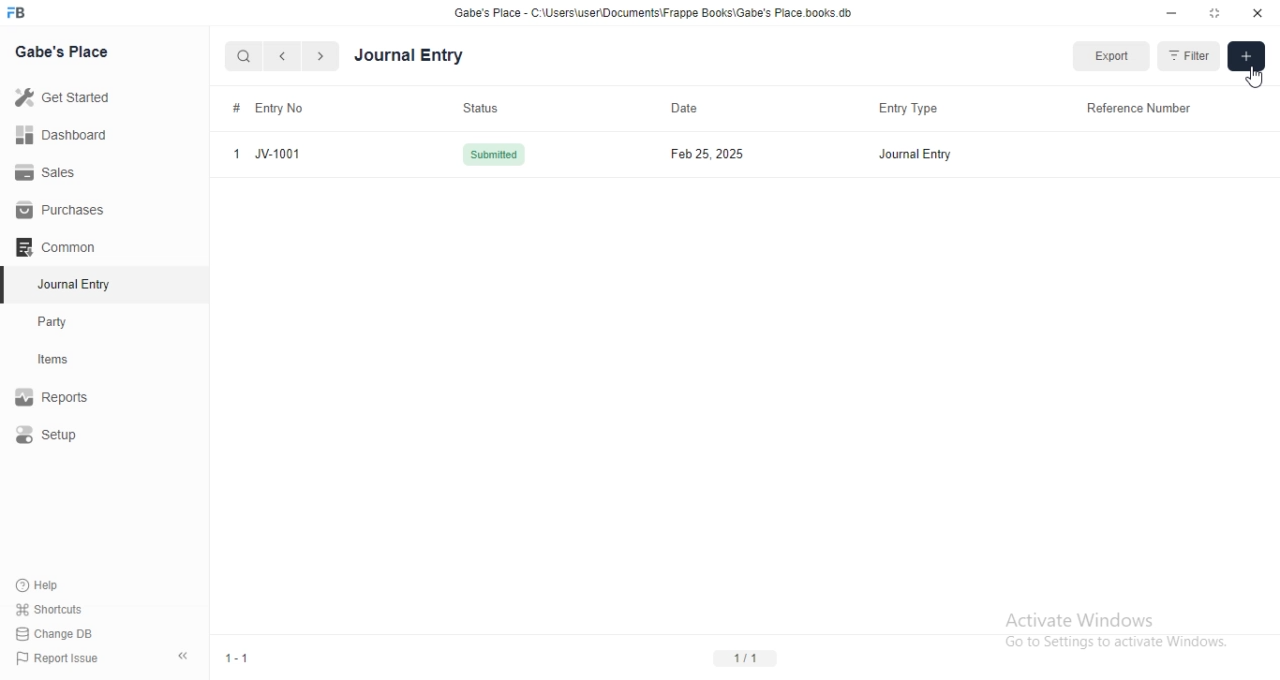 Image resolution: width=1280 pixels, height=680 pixels. I want to click on Entry Type, so click(907, 109).